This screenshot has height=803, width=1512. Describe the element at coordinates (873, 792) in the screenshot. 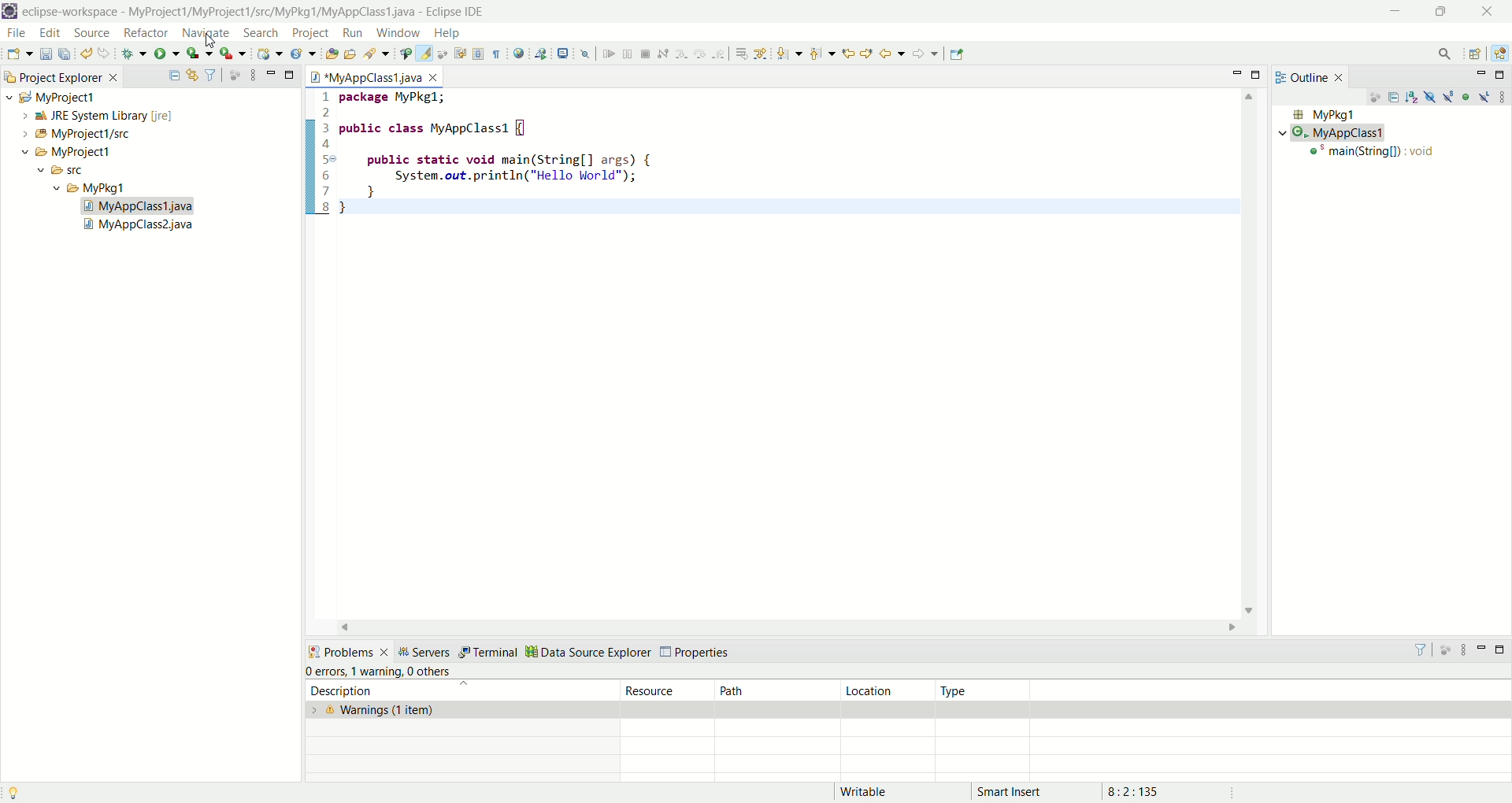

I see `writable` at that location.